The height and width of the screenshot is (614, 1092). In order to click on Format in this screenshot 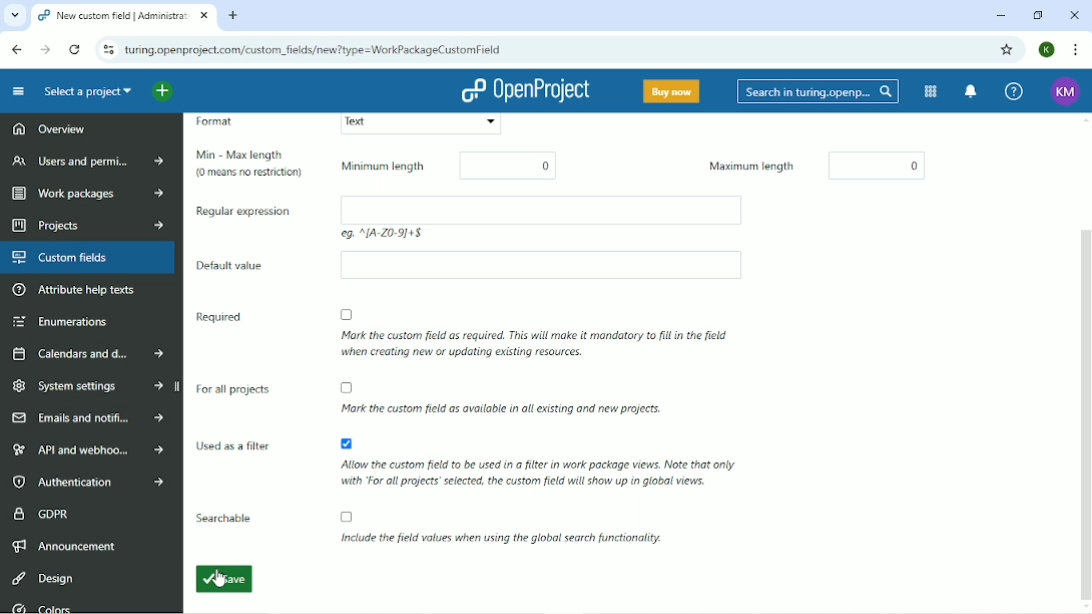, I will do `click(227, 125)`.